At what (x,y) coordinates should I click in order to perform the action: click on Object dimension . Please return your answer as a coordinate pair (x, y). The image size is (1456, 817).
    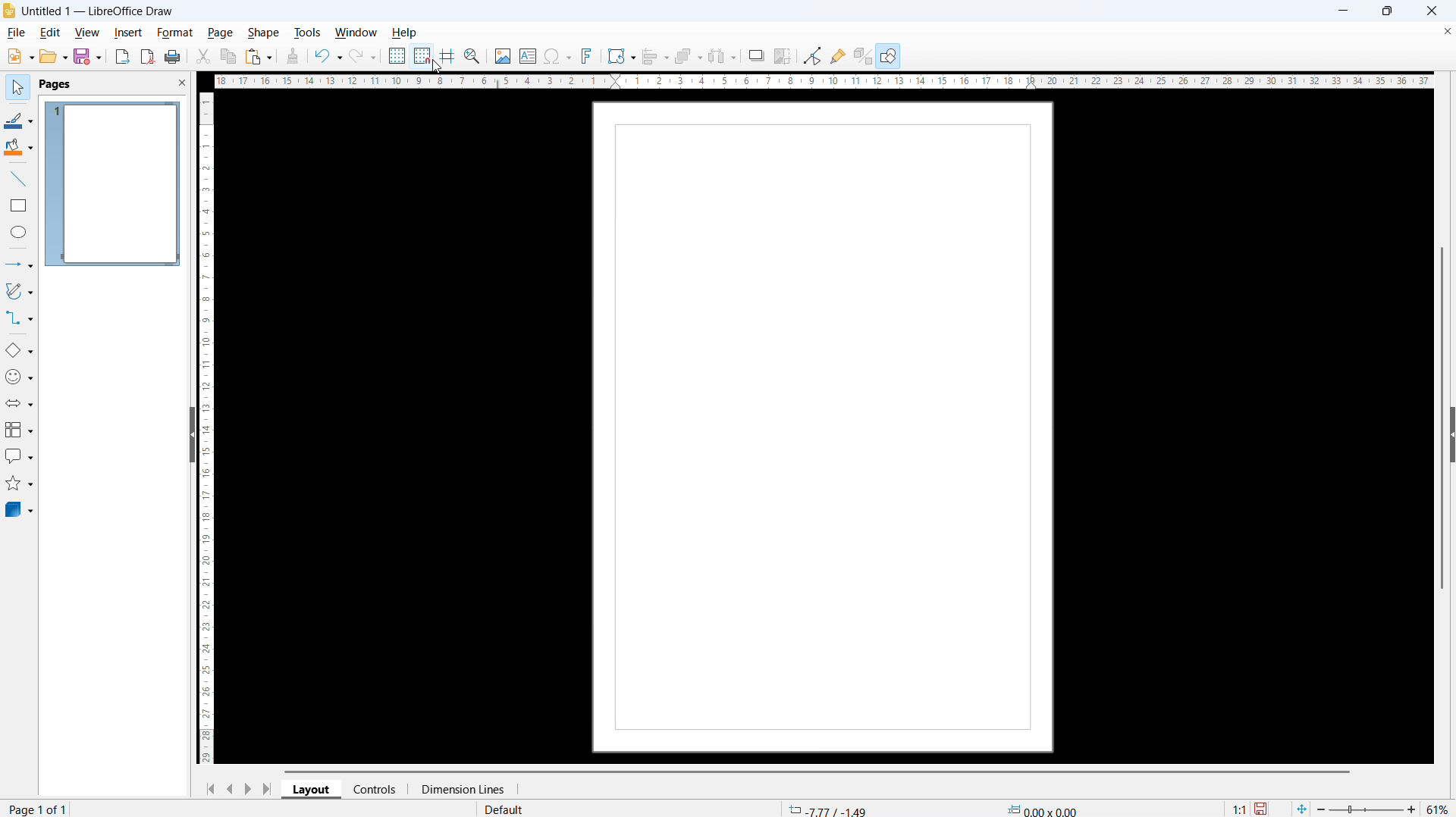
    Looking at the image, I should click on (1045, 808).